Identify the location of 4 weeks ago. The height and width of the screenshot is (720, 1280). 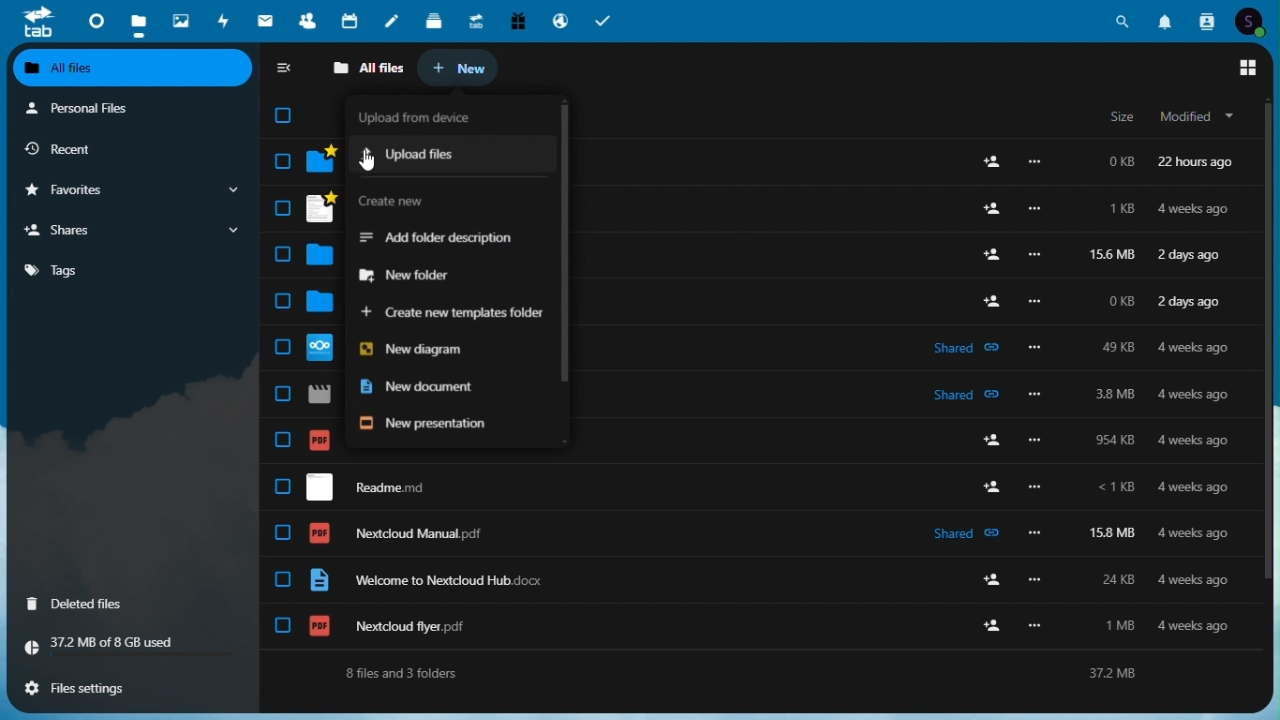
(1195, 626).